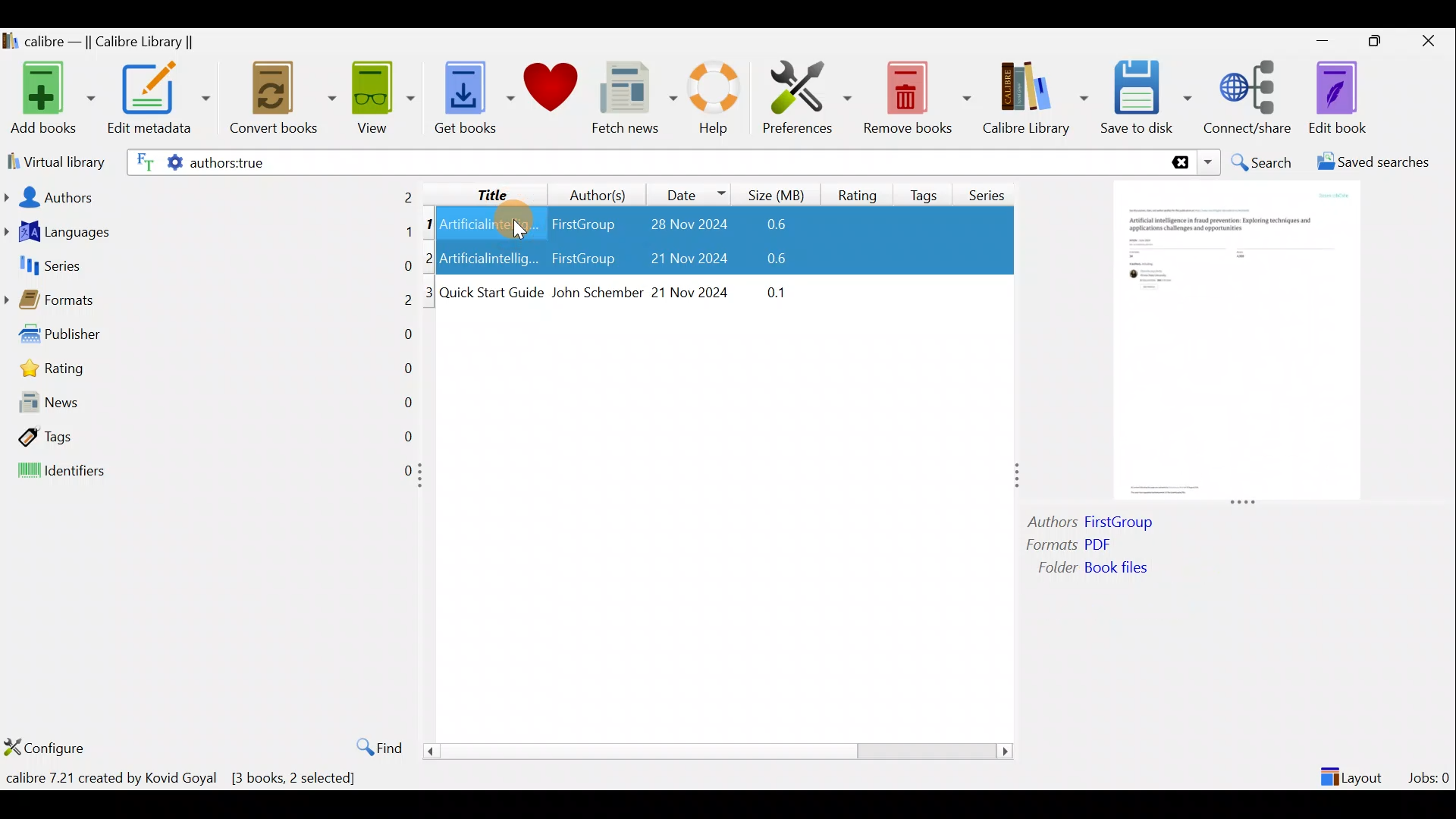  Describe the element at coordinates (1354, 770) in the screenshot. I see `Layout` at that location.